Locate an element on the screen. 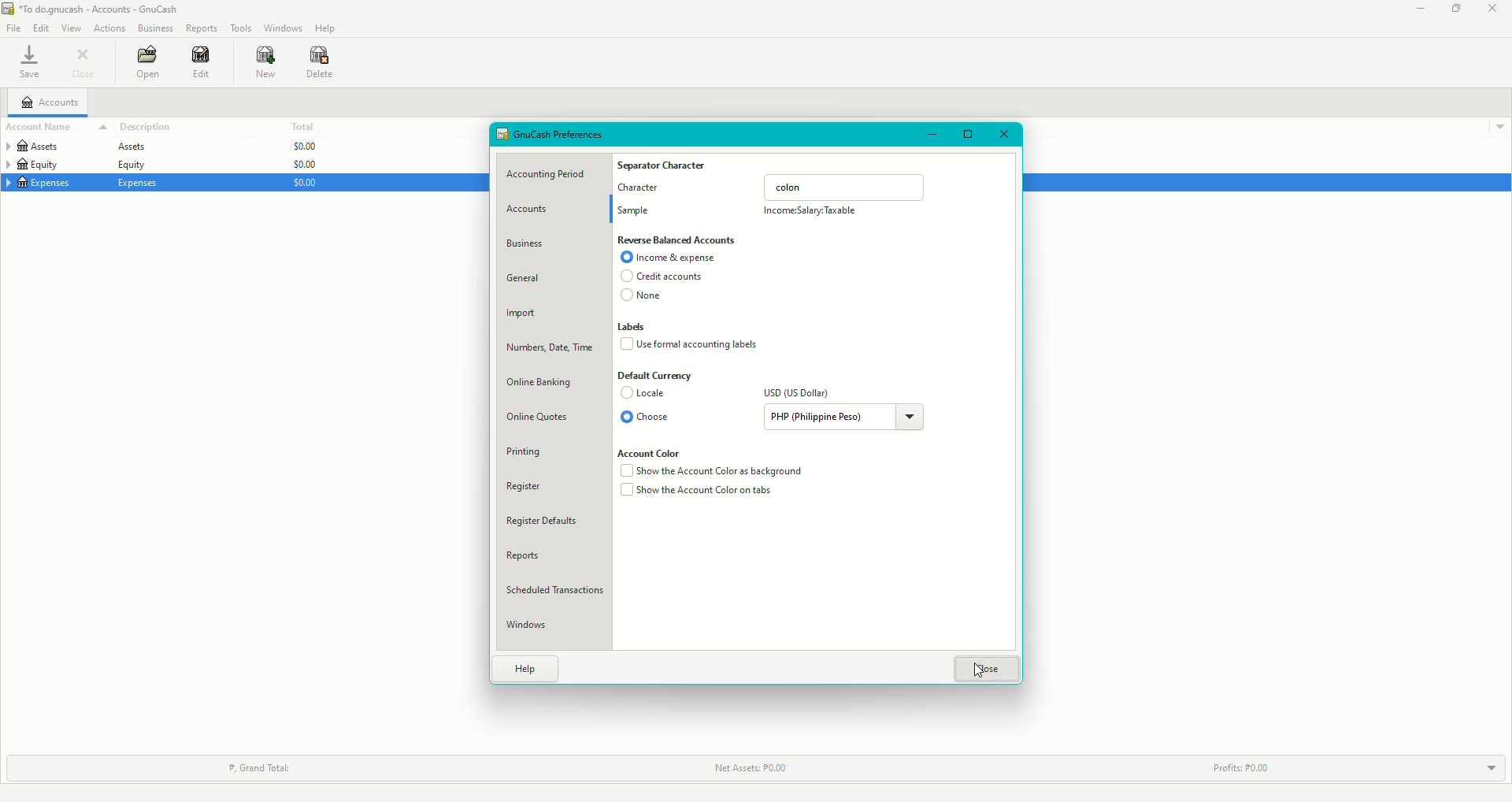 This screenshot has height=802, width=1512. New is located at coordinates (267, 62).